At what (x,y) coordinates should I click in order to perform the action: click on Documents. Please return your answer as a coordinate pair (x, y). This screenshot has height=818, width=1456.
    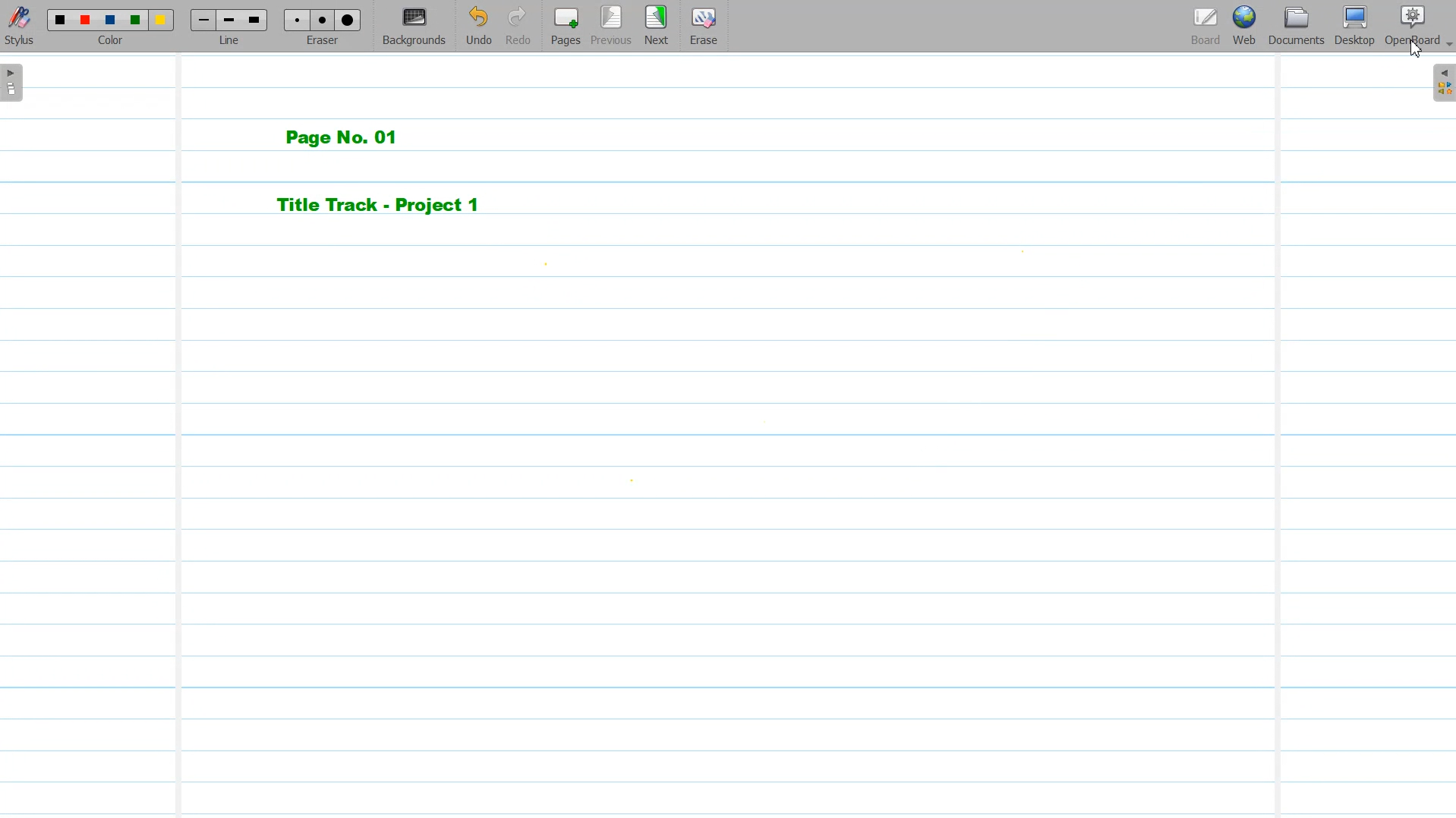
    Looking at the image, I should click on (1296, 26).